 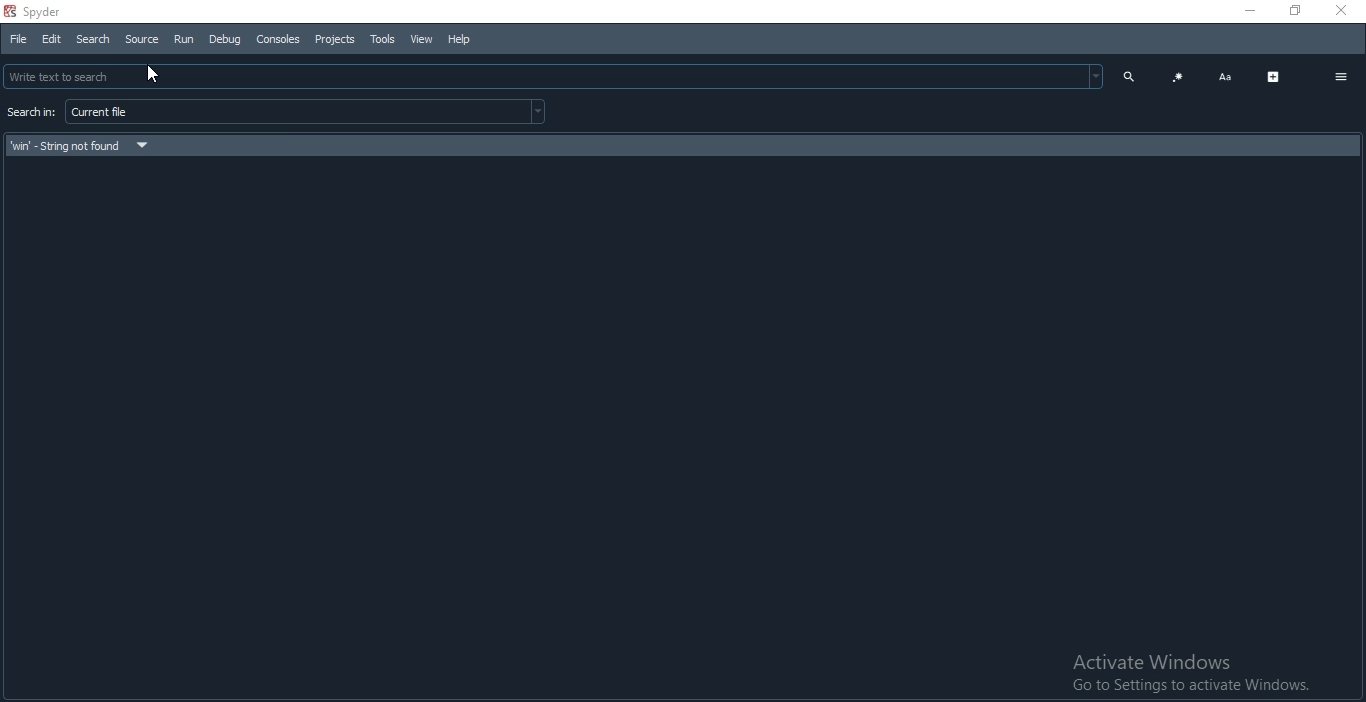 I want to click on Search, so click(x=93, y=40).